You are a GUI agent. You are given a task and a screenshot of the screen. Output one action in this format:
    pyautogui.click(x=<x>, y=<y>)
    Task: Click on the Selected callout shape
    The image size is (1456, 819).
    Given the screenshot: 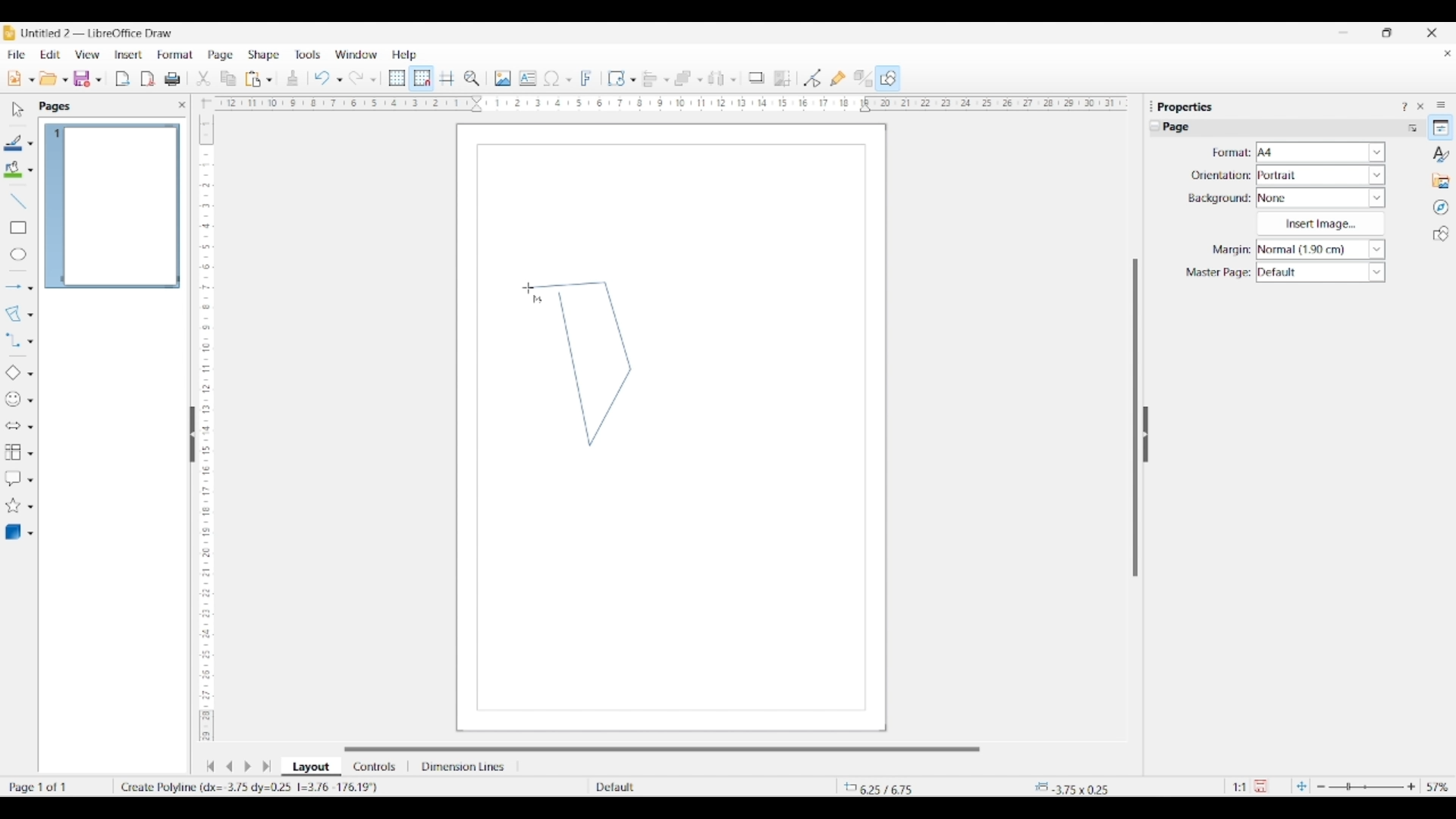 What is the action you would take?
    pyautogui.click(x=13, y=479)
    